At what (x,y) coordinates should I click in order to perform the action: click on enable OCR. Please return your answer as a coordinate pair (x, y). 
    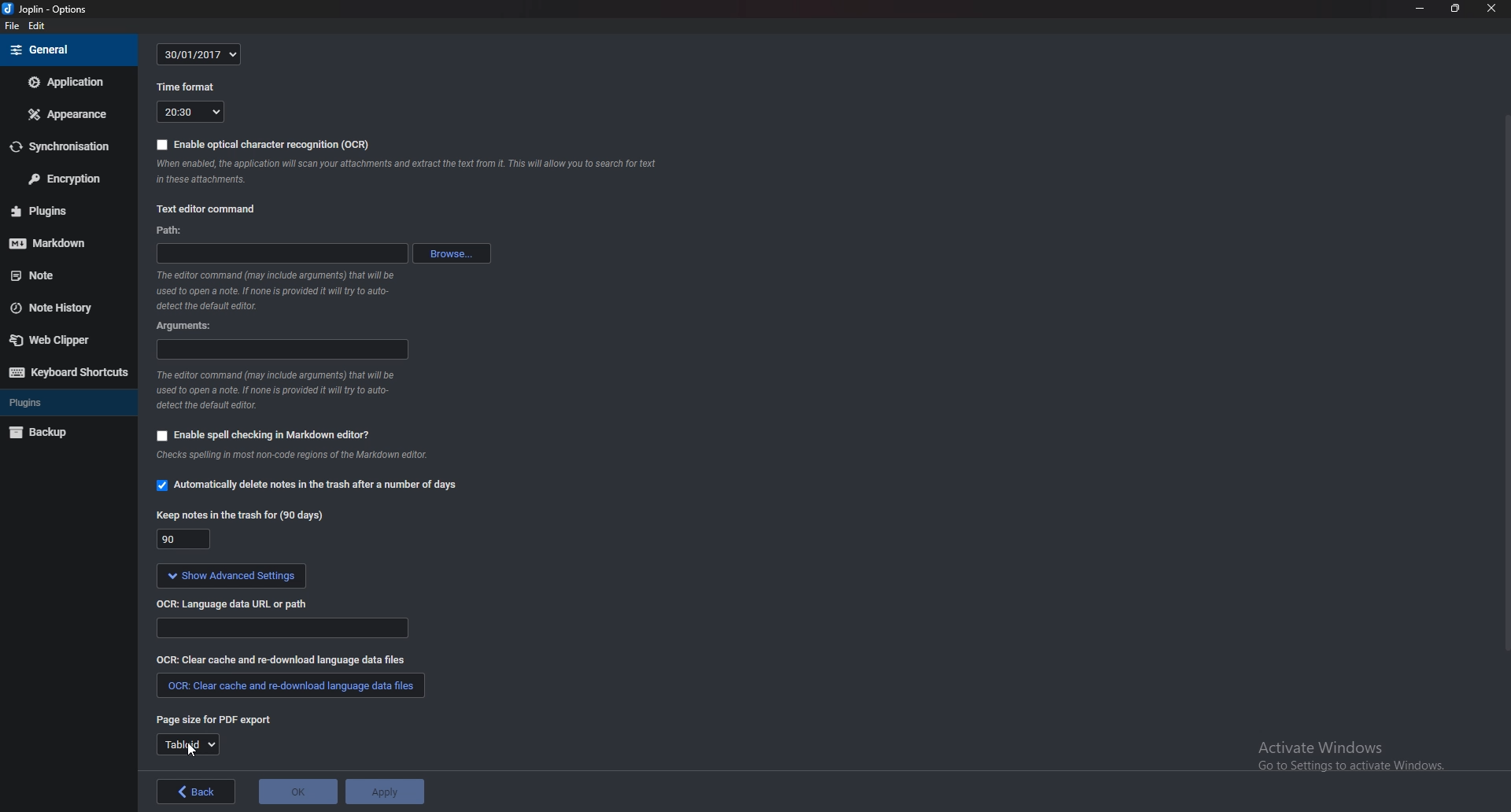
    Looking at the image, I should click on (260, 144).